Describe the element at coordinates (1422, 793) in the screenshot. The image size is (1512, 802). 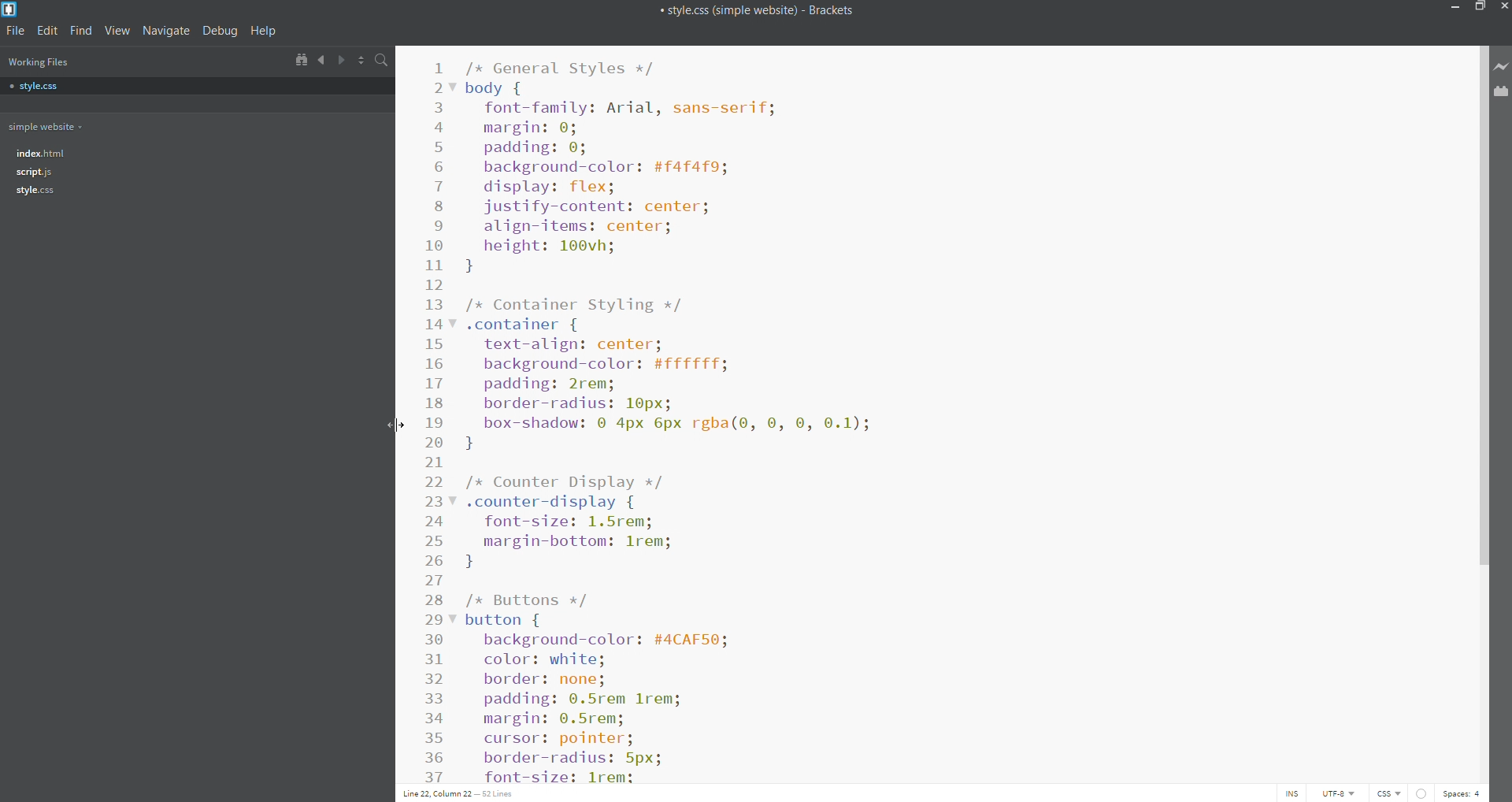
I see `show error` at that location.